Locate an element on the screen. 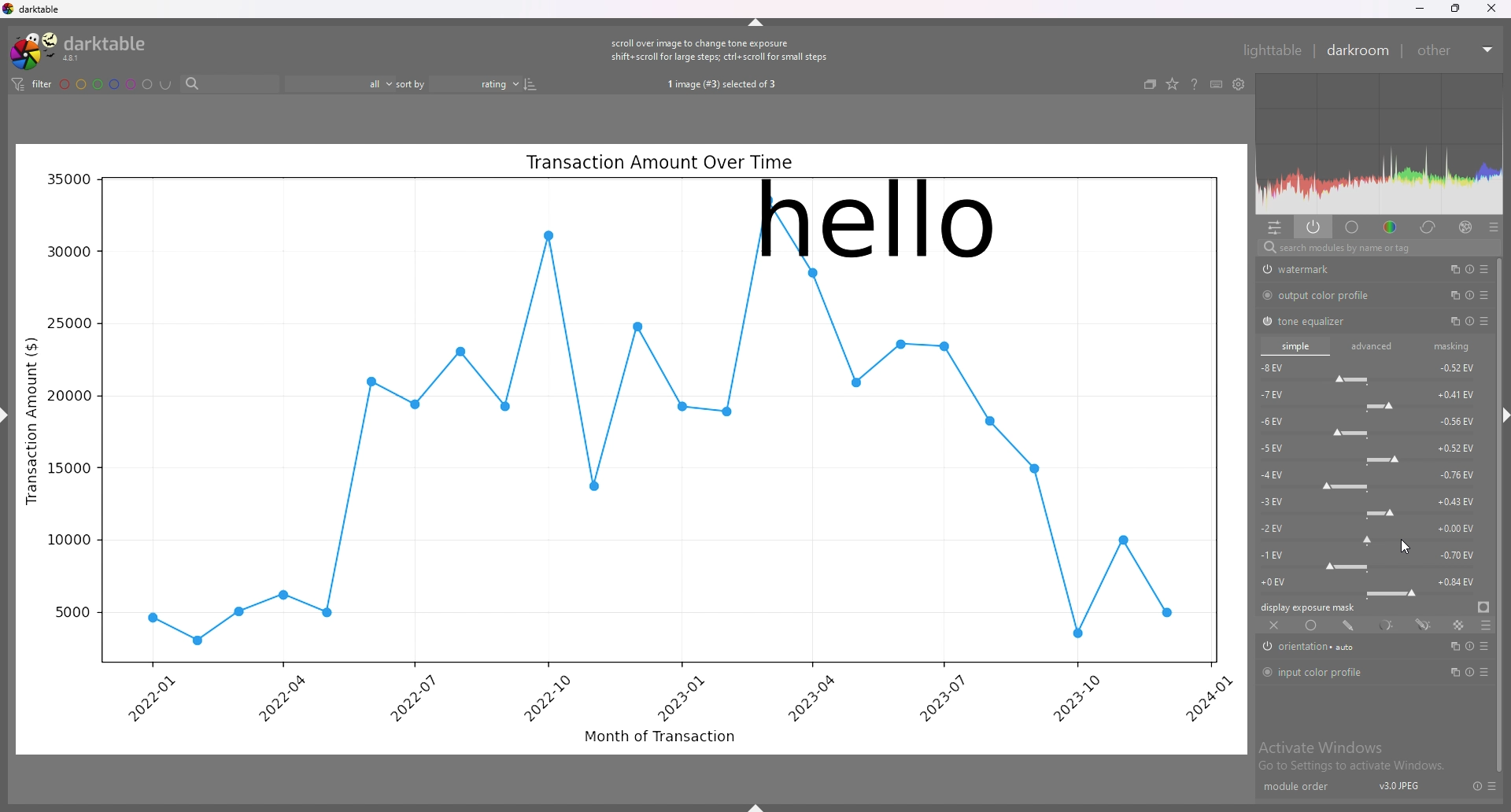 The image size is (1511, 812). uniformly is located at coordinates (1313, 625).